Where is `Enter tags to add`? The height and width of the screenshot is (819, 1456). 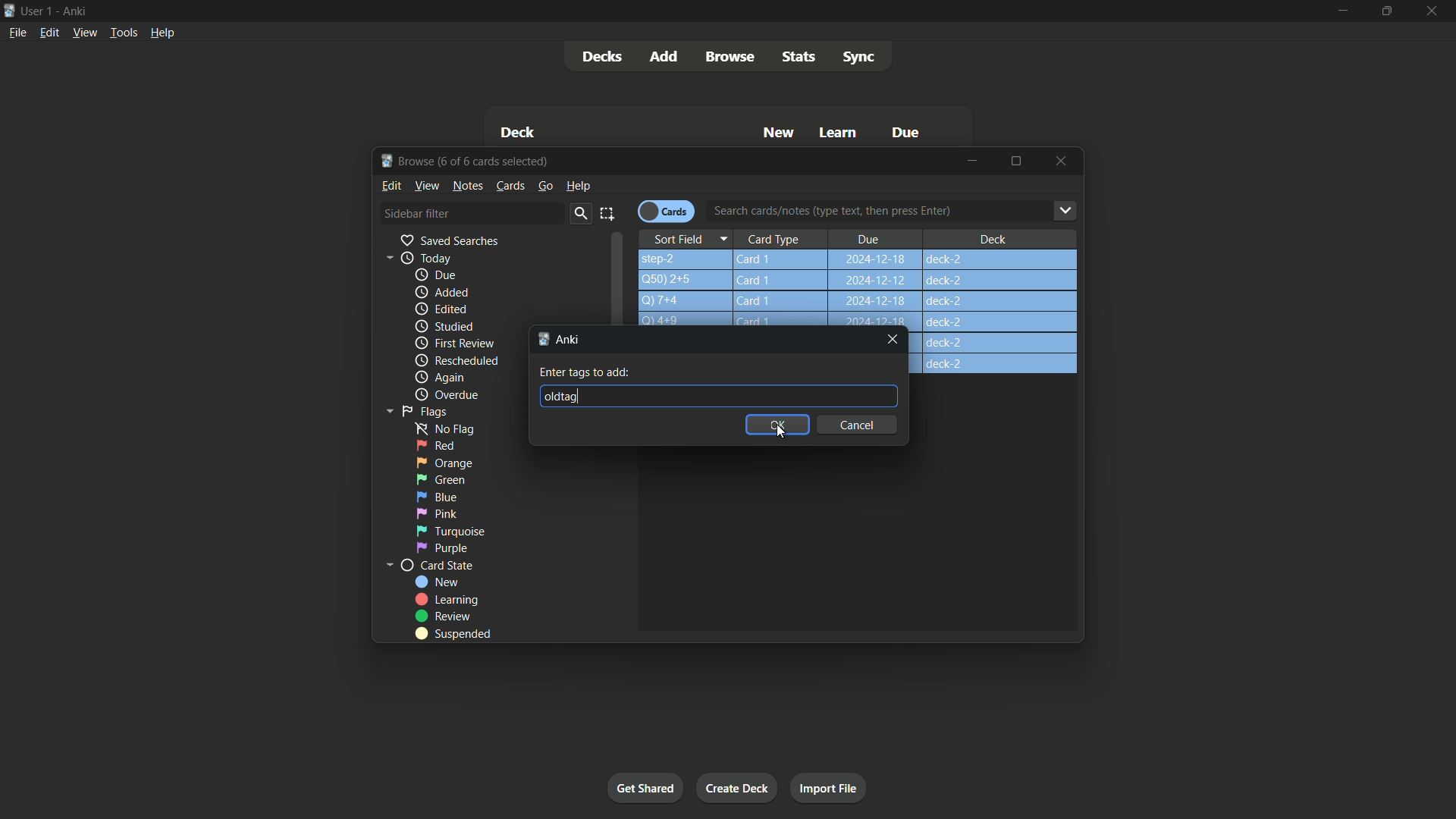
Enter tags to add is located at coordinates (585, 372).